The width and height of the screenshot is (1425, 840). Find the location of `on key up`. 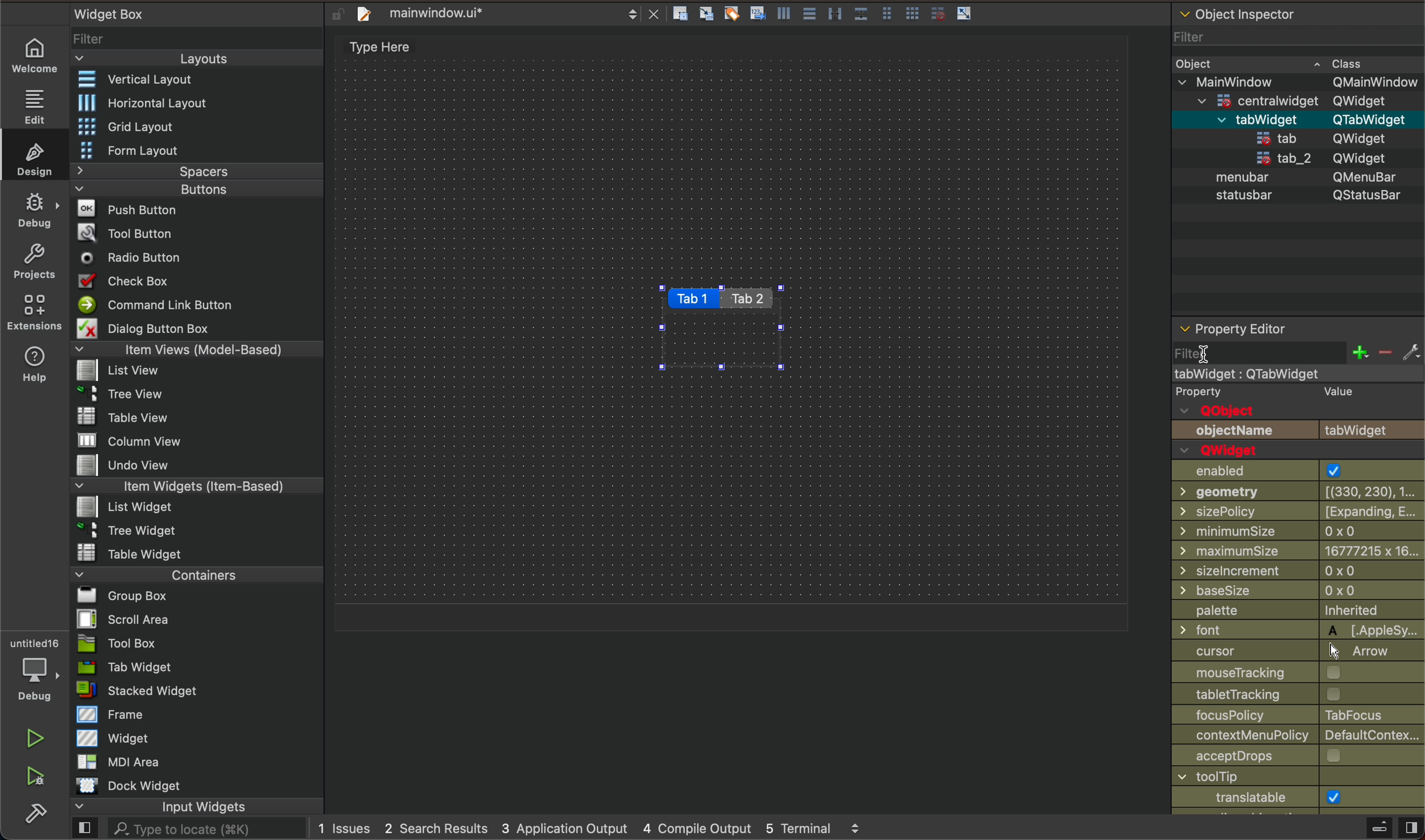

on key up is located at coordinates (691, 330).